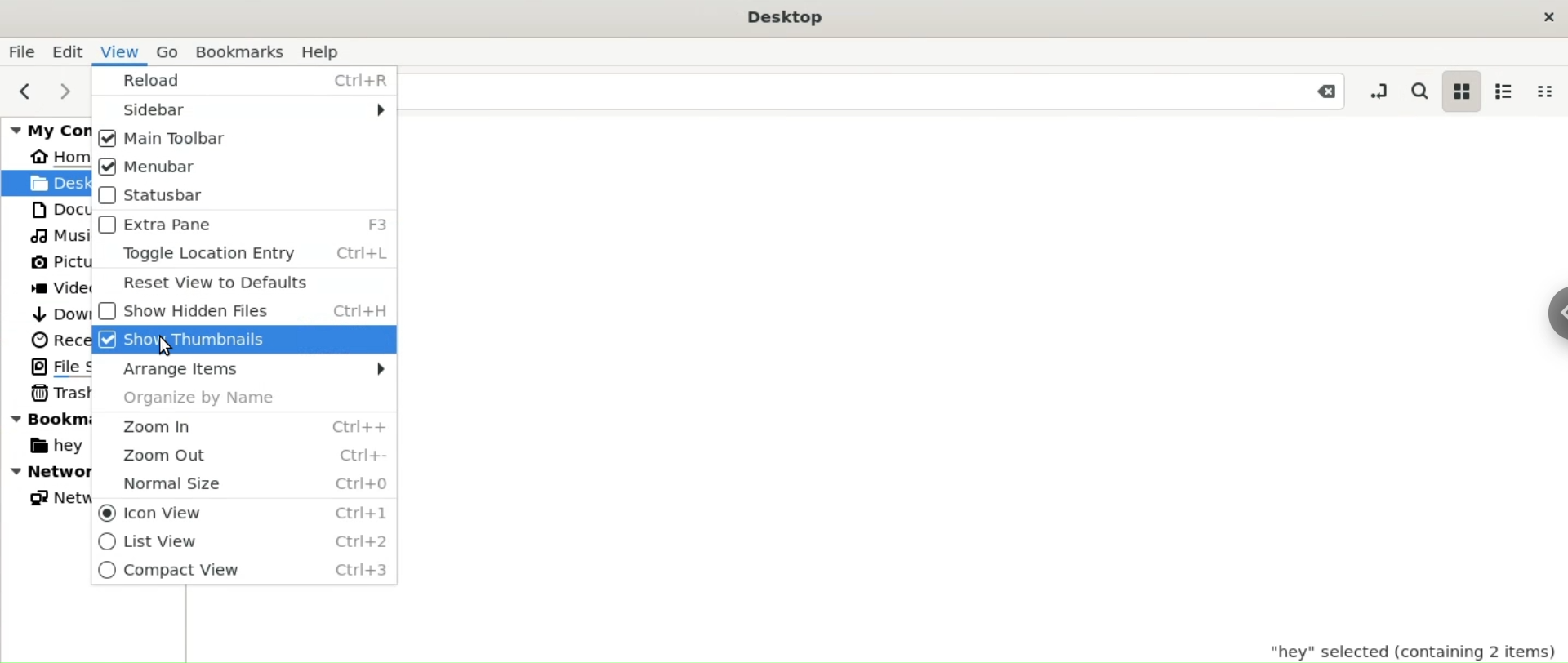 This screenshot has width=1568, height=663. What do you see at coordinates (21, 91) in the screenshot?
I see `Previous` at bounding box center [21, 91].